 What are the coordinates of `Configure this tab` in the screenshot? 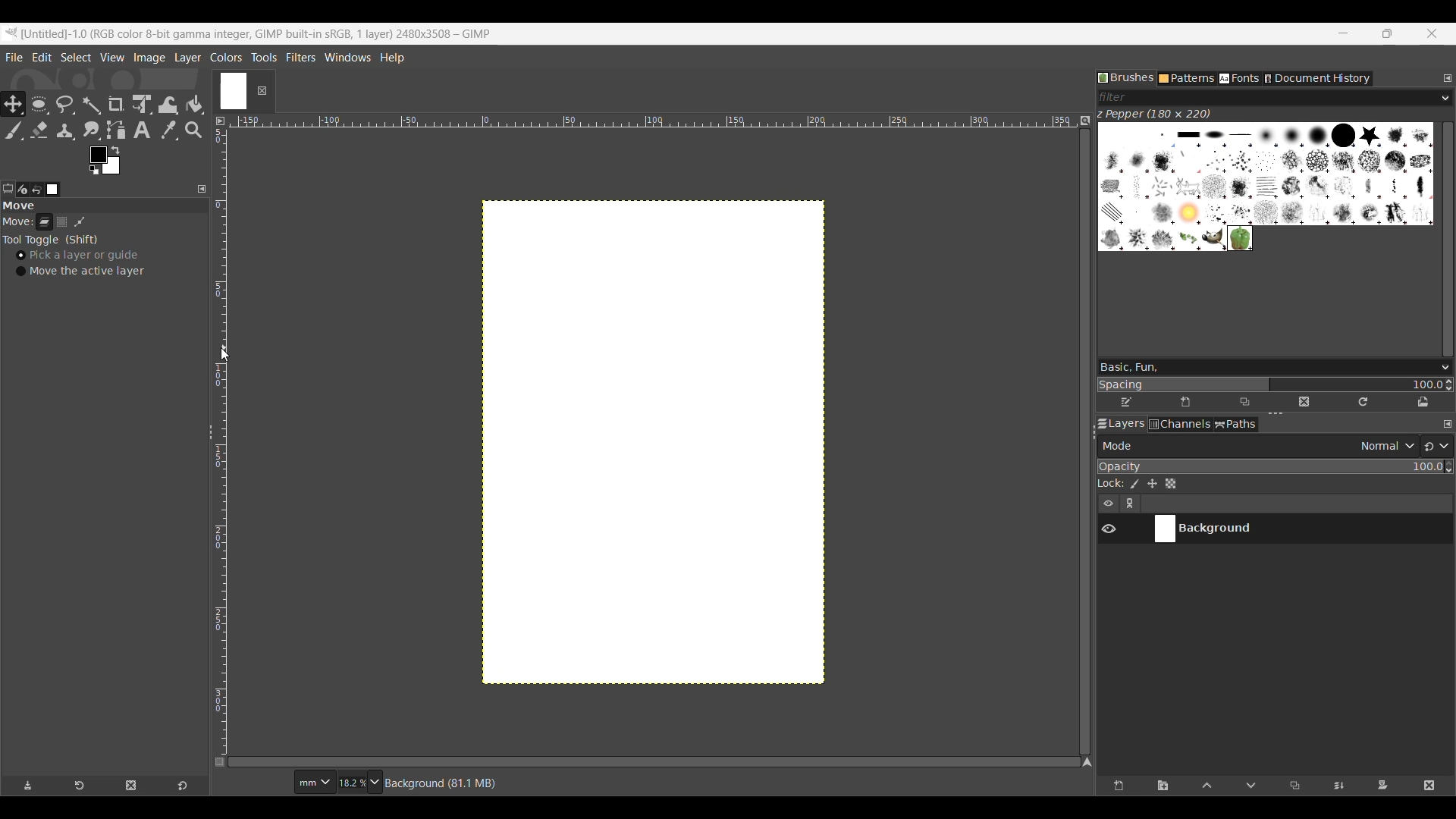 It's located at (1448, 78).